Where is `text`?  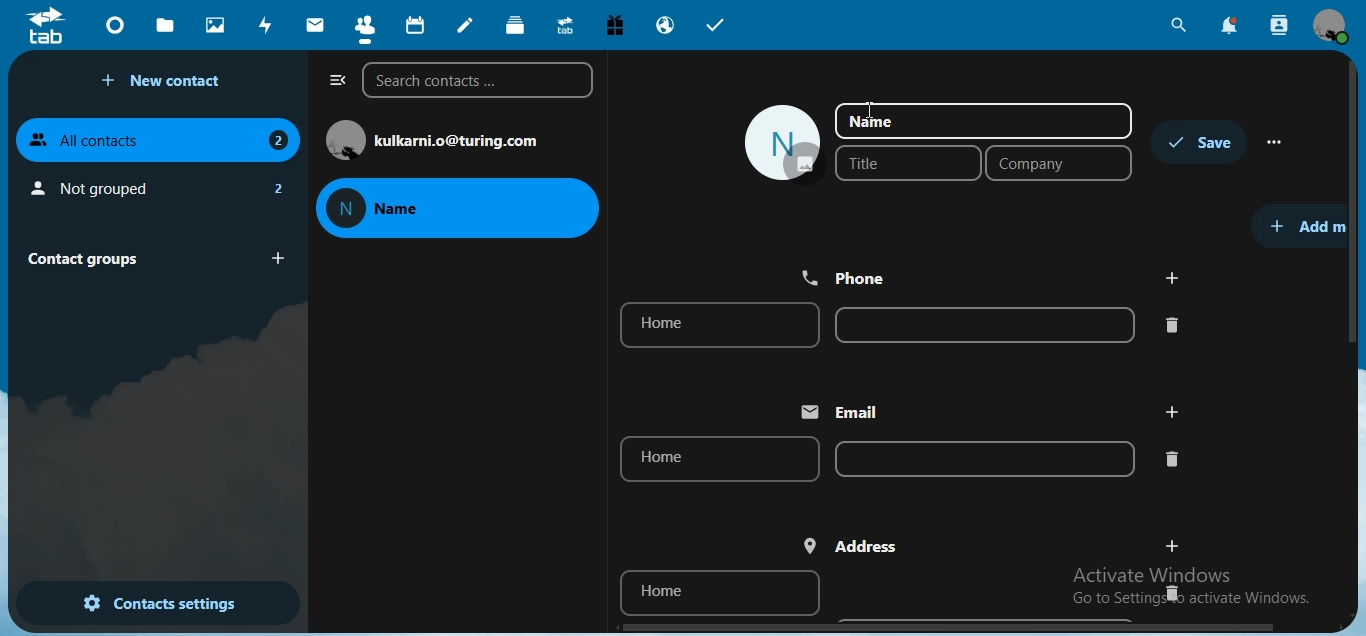
text is located at coordinates (462, 140).